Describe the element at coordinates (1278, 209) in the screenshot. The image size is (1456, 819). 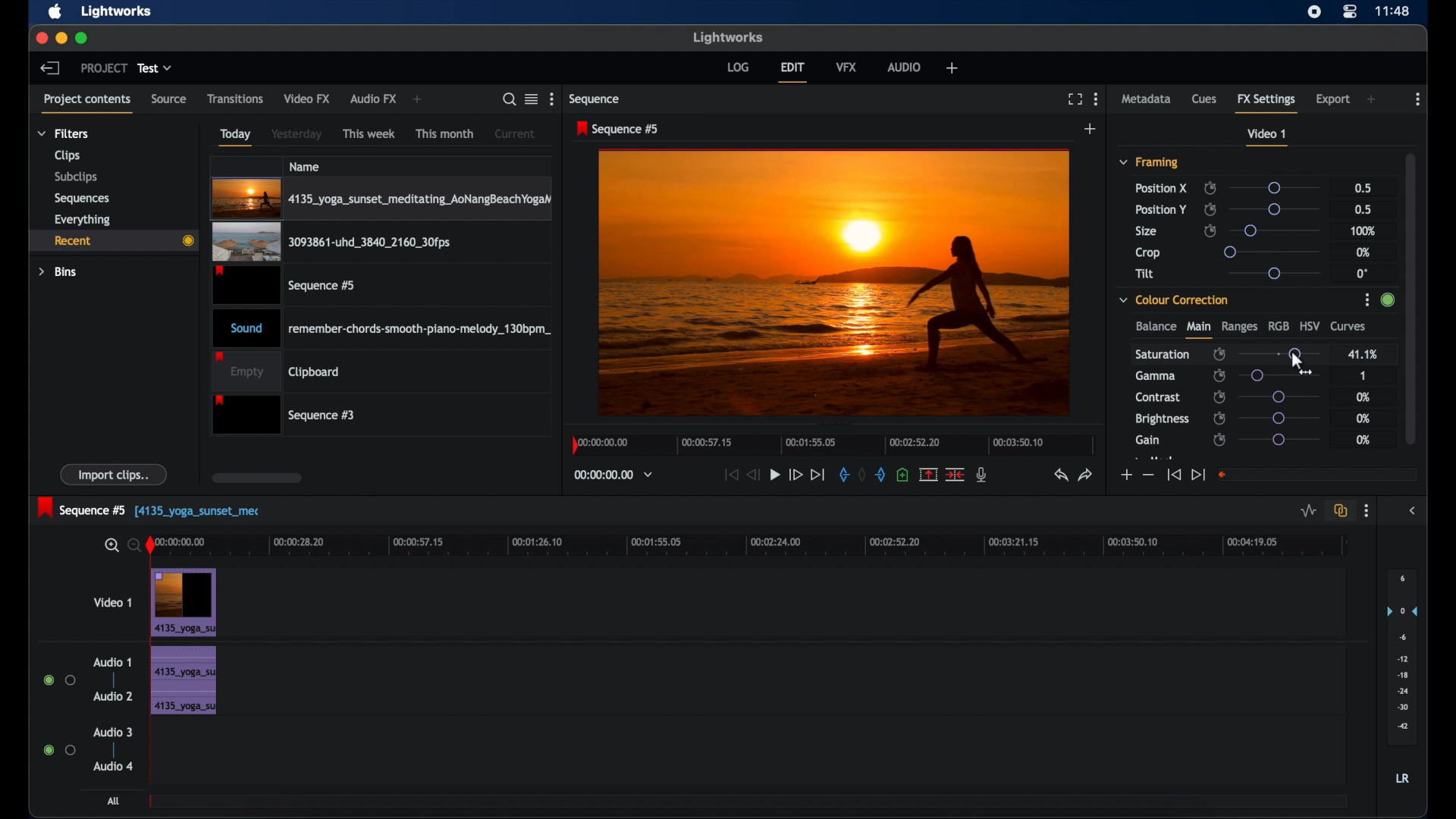
I see `slider` at that location.